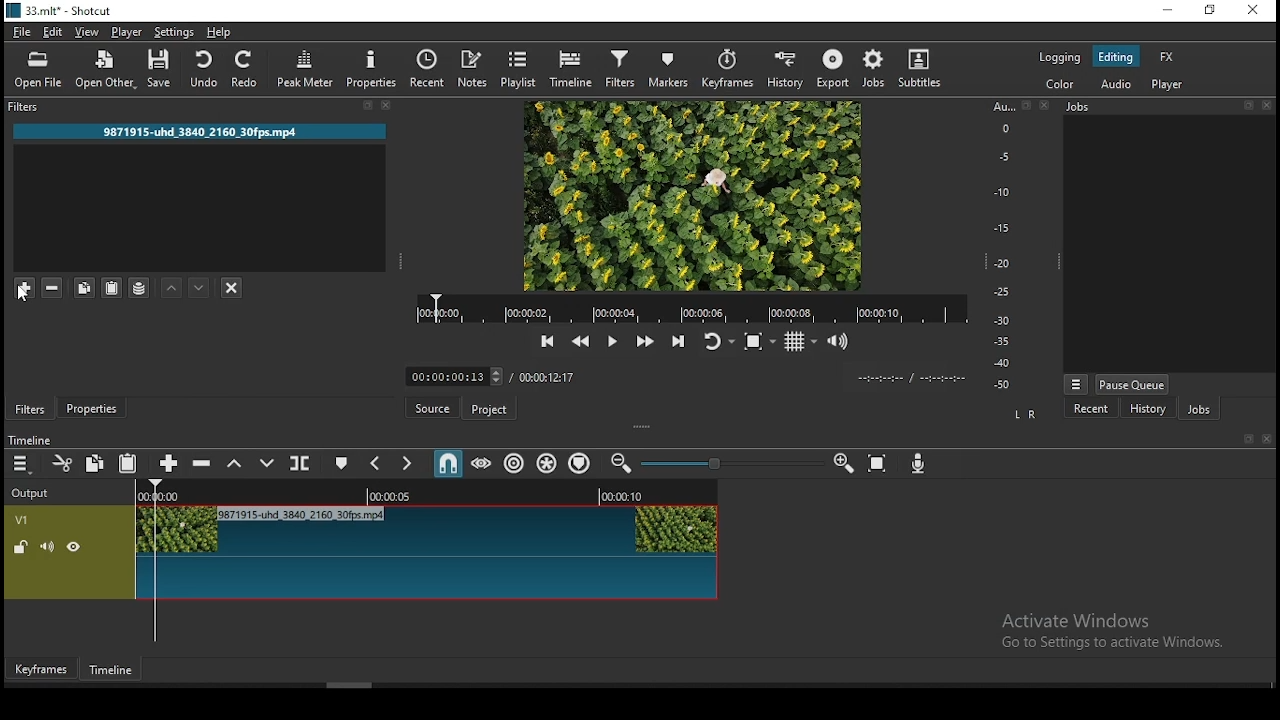 The image size is (1280, 720). What do you see at coordinates (40, 72) in the screenshot?
I see `open` at bounding box center [40, 72].